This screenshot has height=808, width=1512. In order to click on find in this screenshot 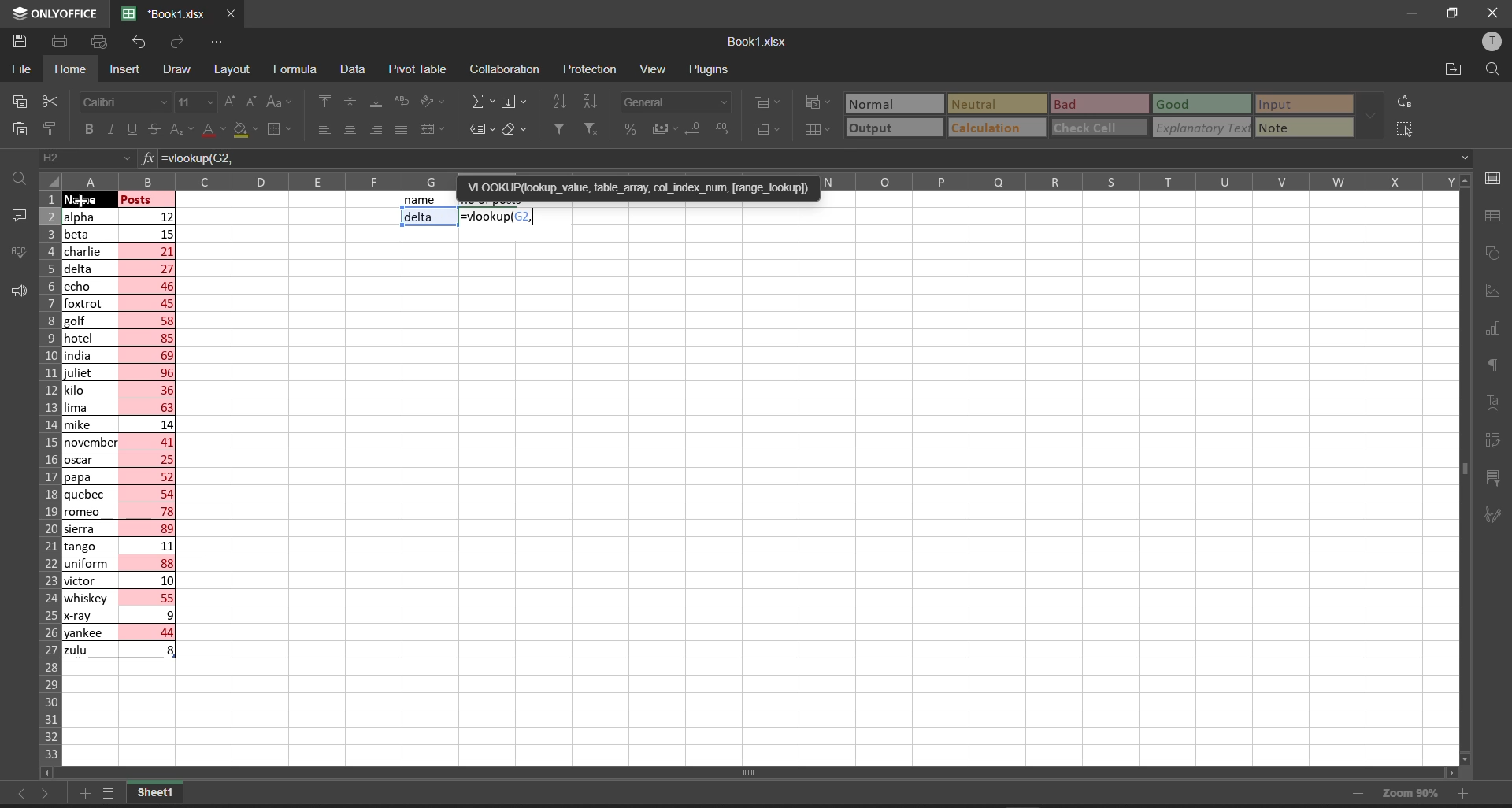, I will do `click(17, 176)`.